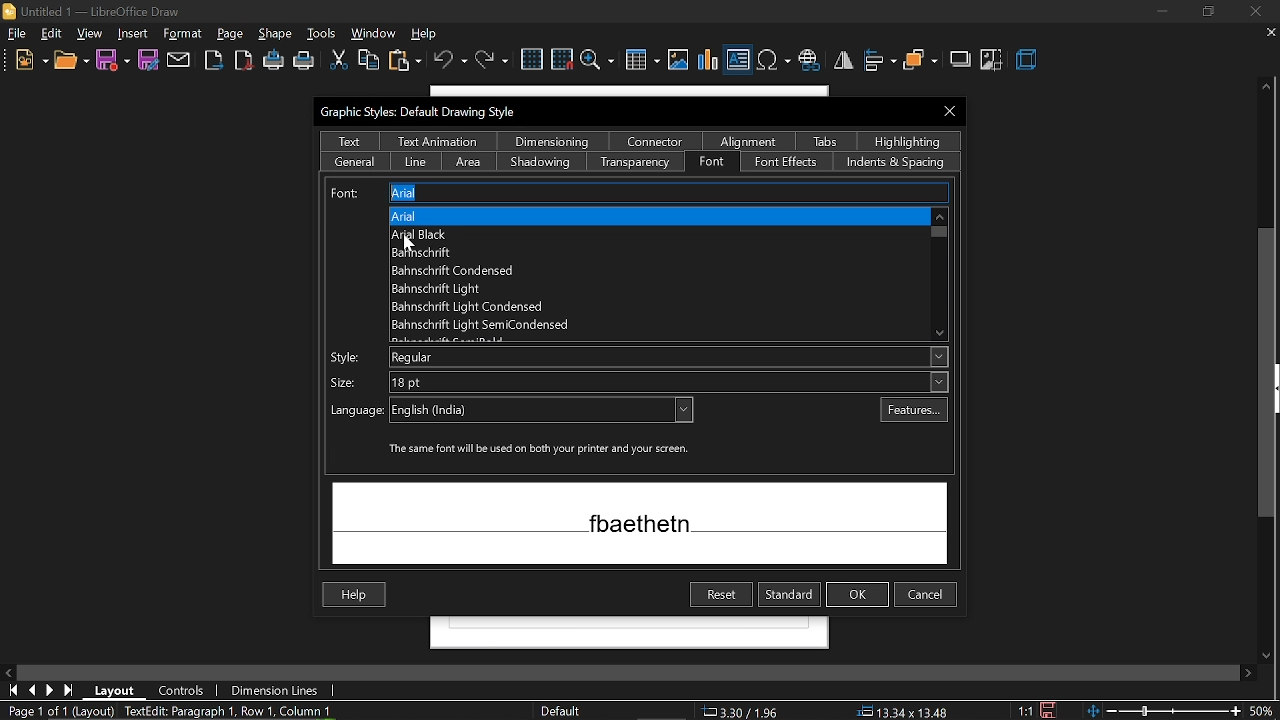  What do you see at coordinates (146, 59) in the screenshot?
I see `save as` at bounding box center [146, 59].